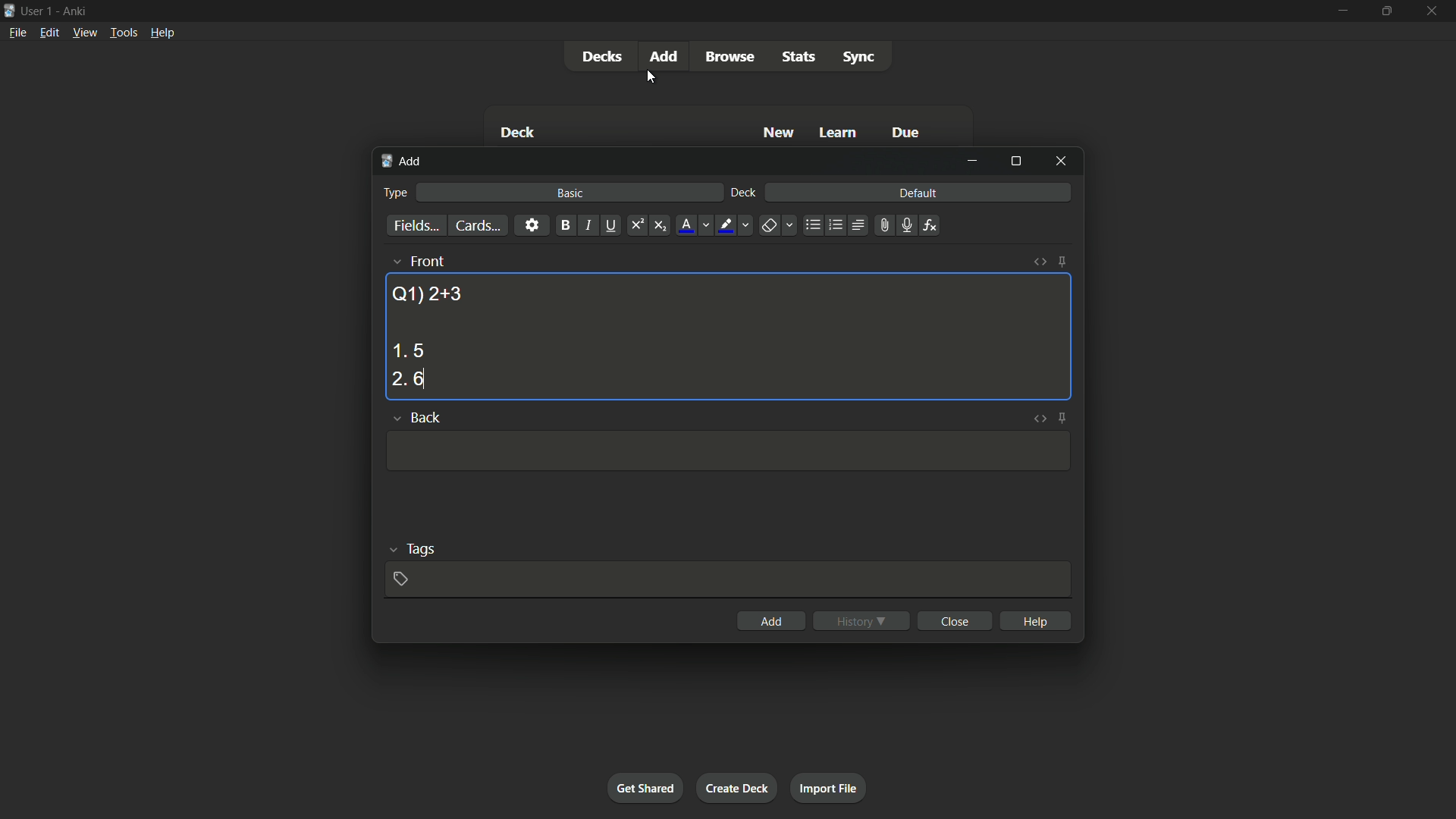 The image size is (1456, 819). I want to click on option 1, so click(408, 350).